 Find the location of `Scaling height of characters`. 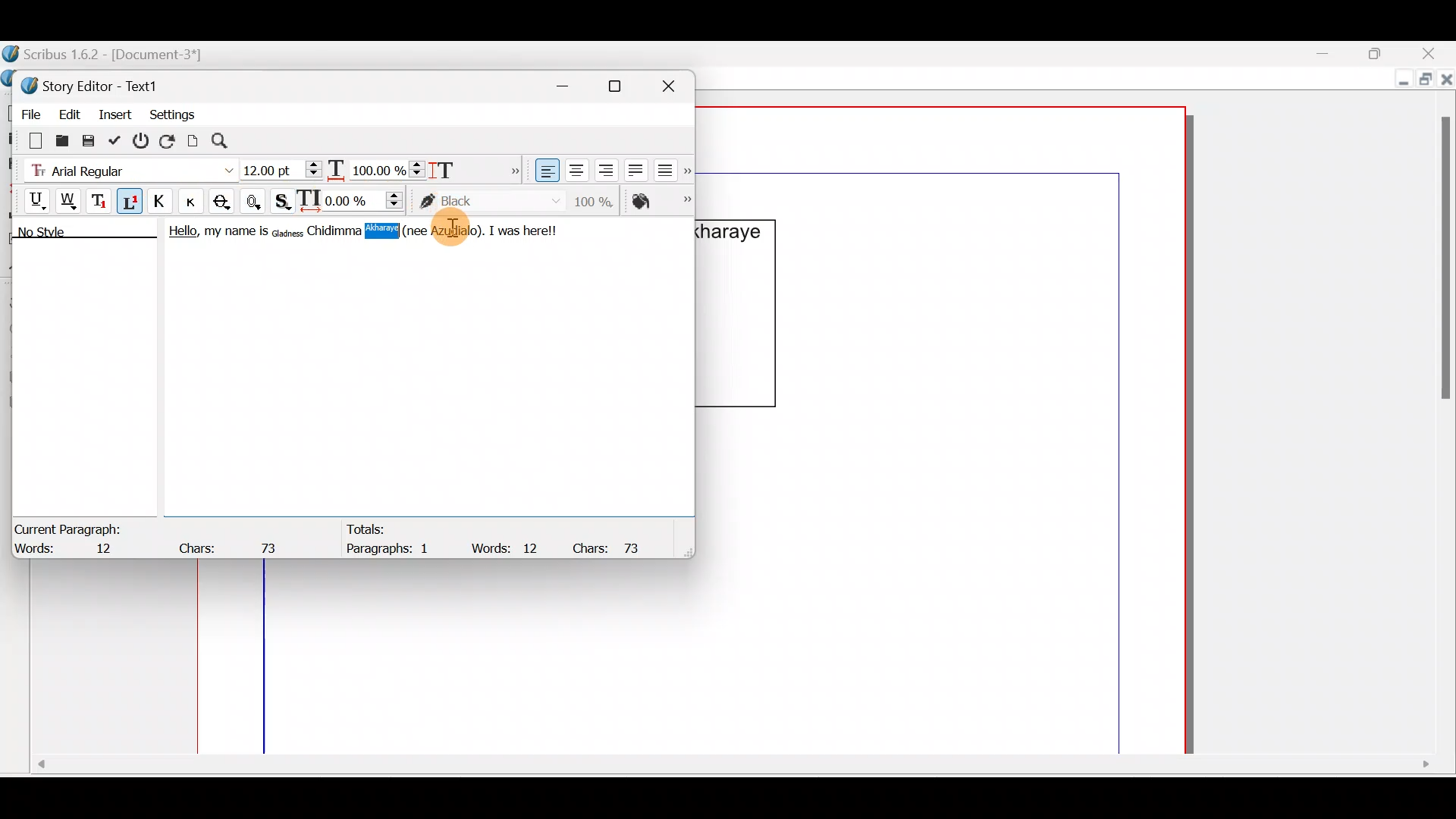

Scaling height of characters is located at coordinates (464, 165).